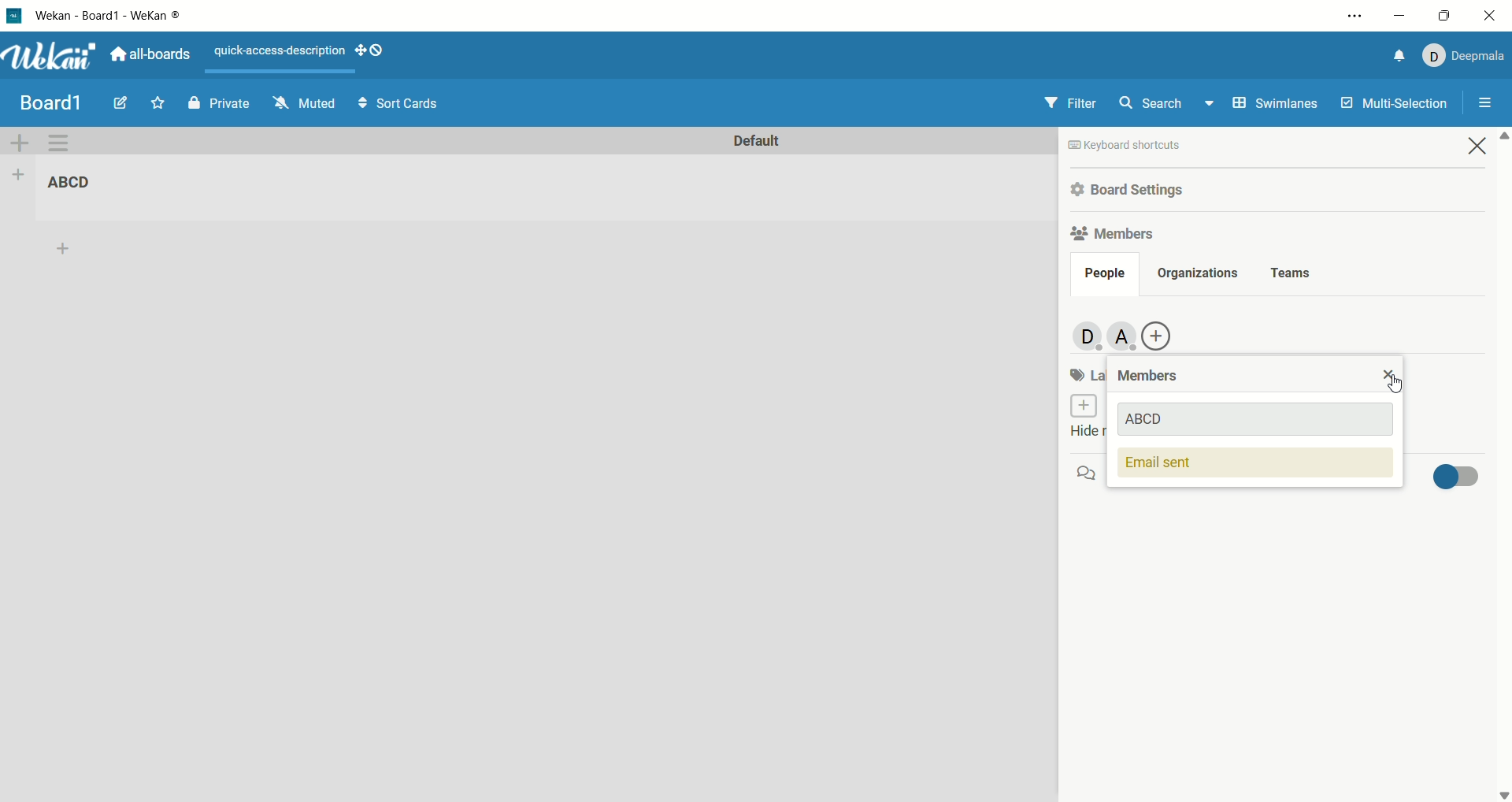 The width and height of the screenshot is (1512, 802). What do you see at coordinates (1195, 274) in the screenshot?
I see `organization` at bounding box center [1195, 274].